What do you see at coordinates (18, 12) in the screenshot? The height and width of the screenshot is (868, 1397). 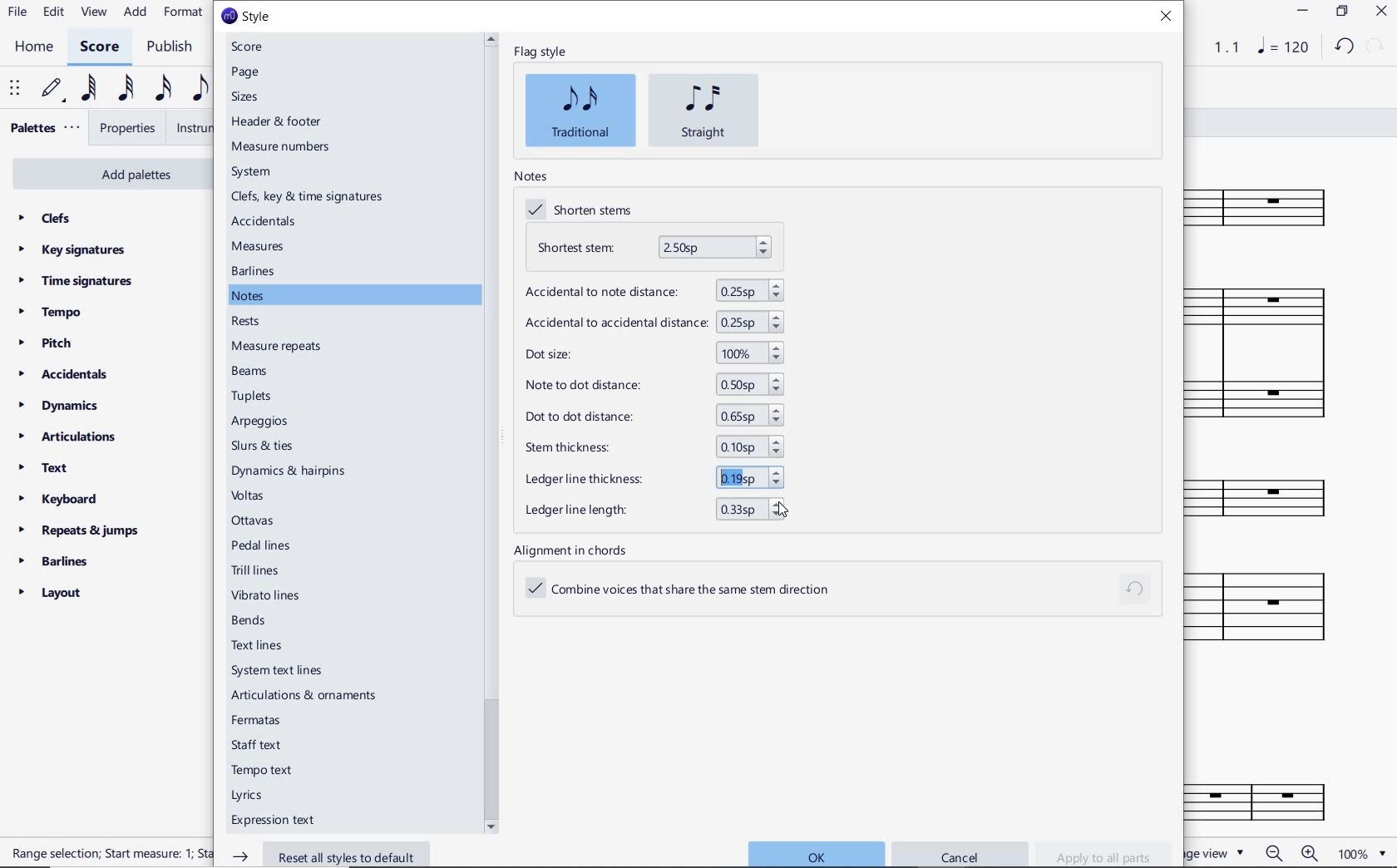 I see `file` at bounding box center [18, 12].